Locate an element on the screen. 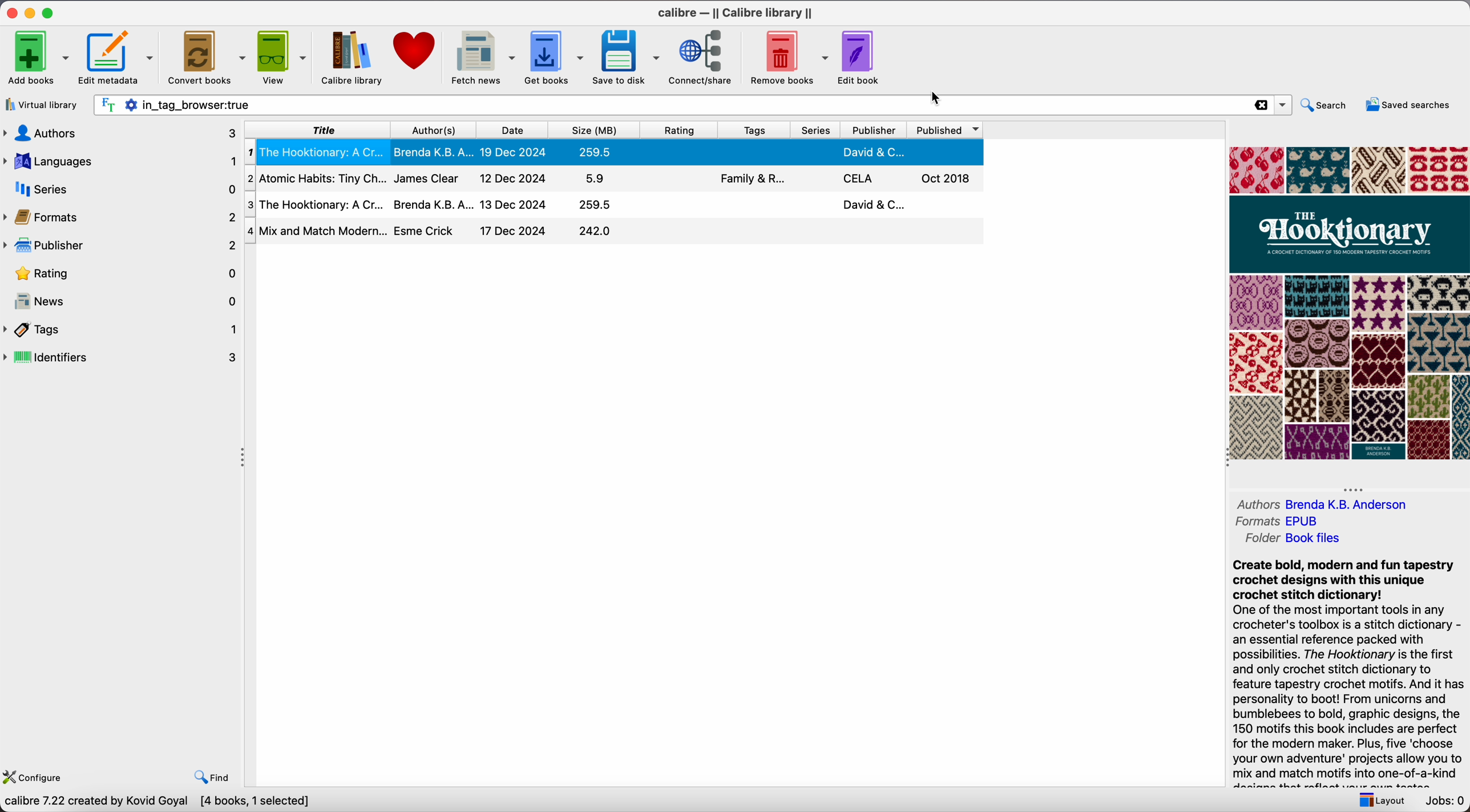 The width and height of the screenshot is (1470, 812). James Clear is located at coordinates (425, 177).